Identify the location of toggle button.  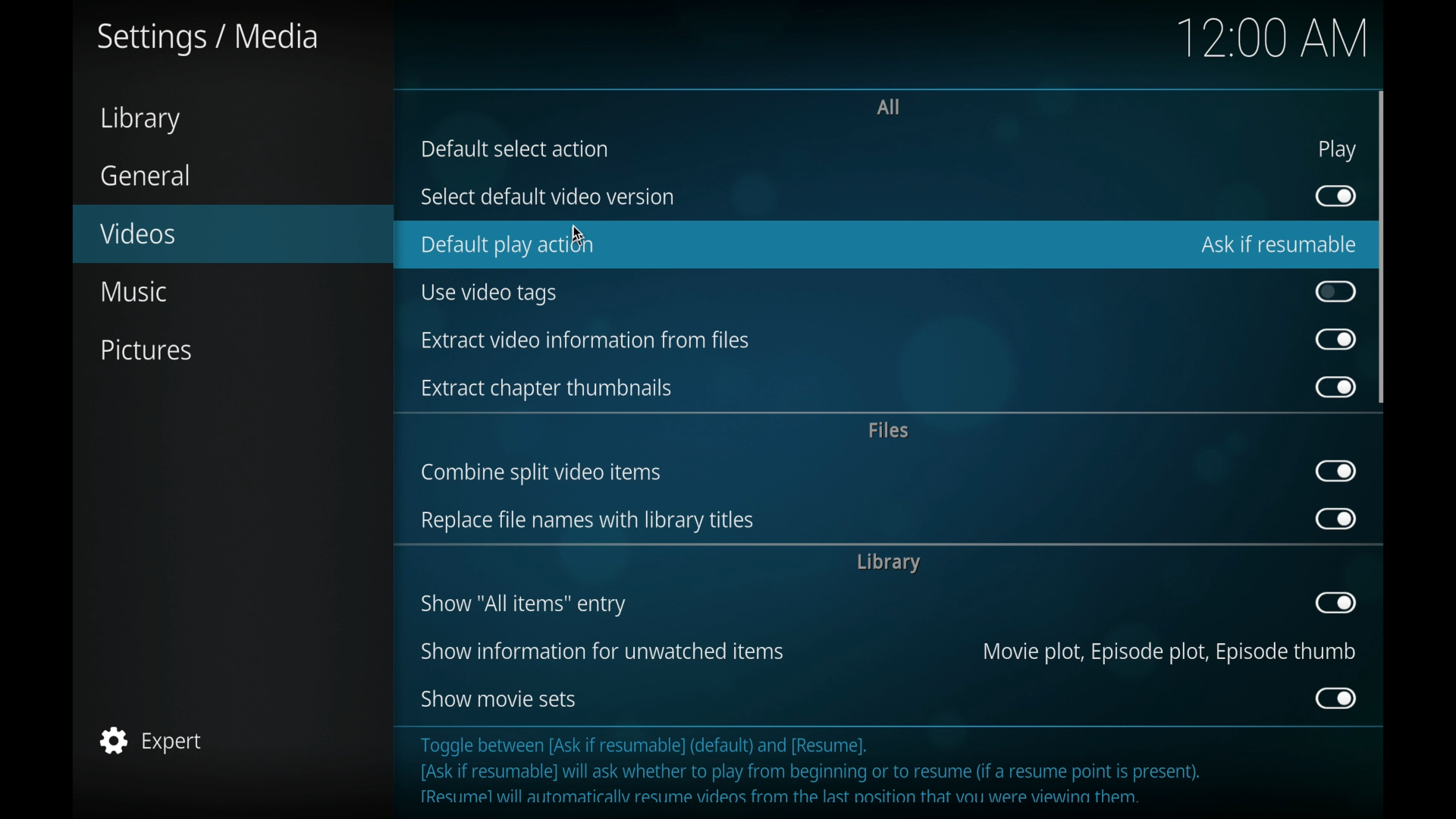
(1334, 338).